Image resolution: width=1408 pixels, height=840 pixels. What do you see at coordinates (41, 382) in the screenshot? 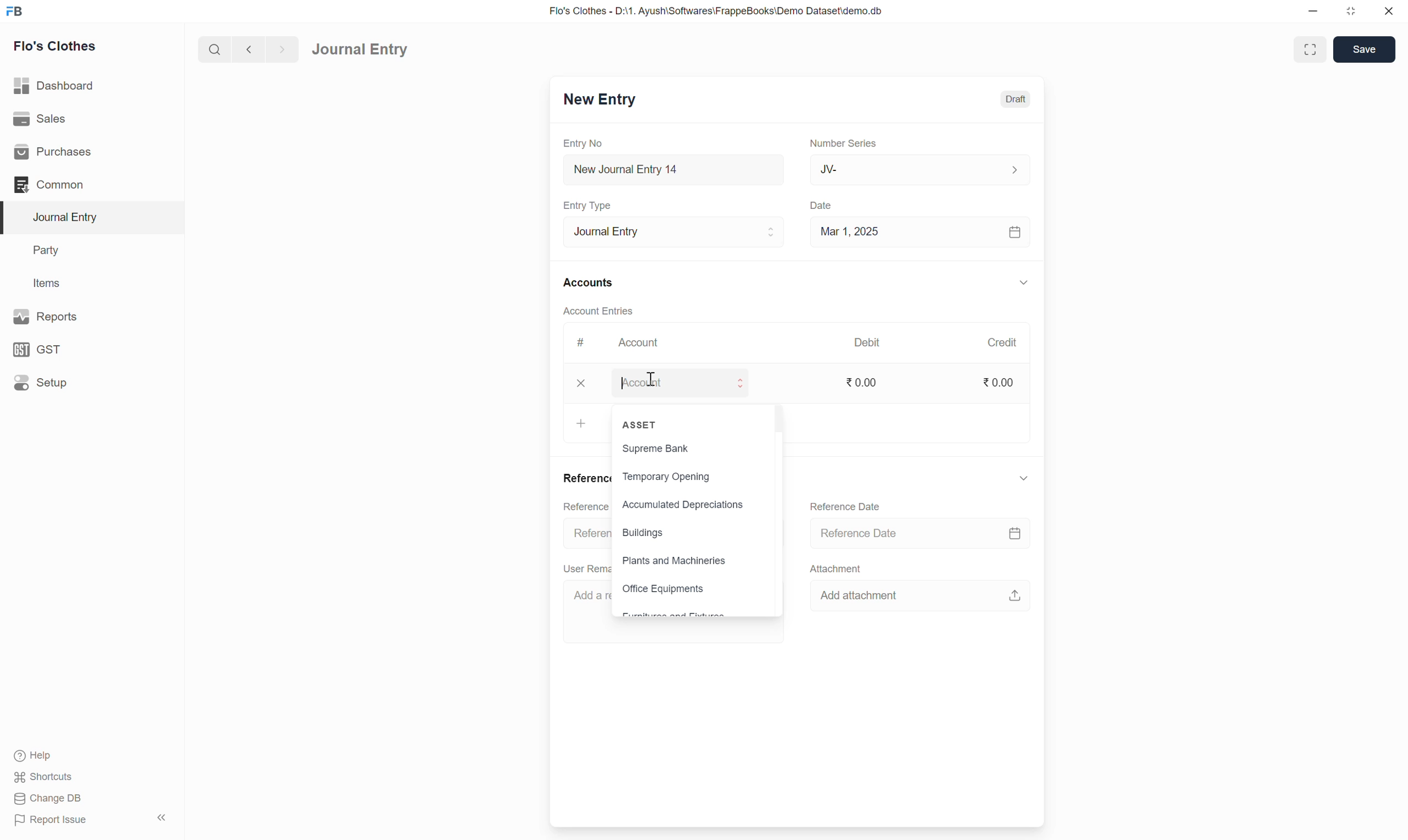
I see `Setup` at bounding box center [41, 382].